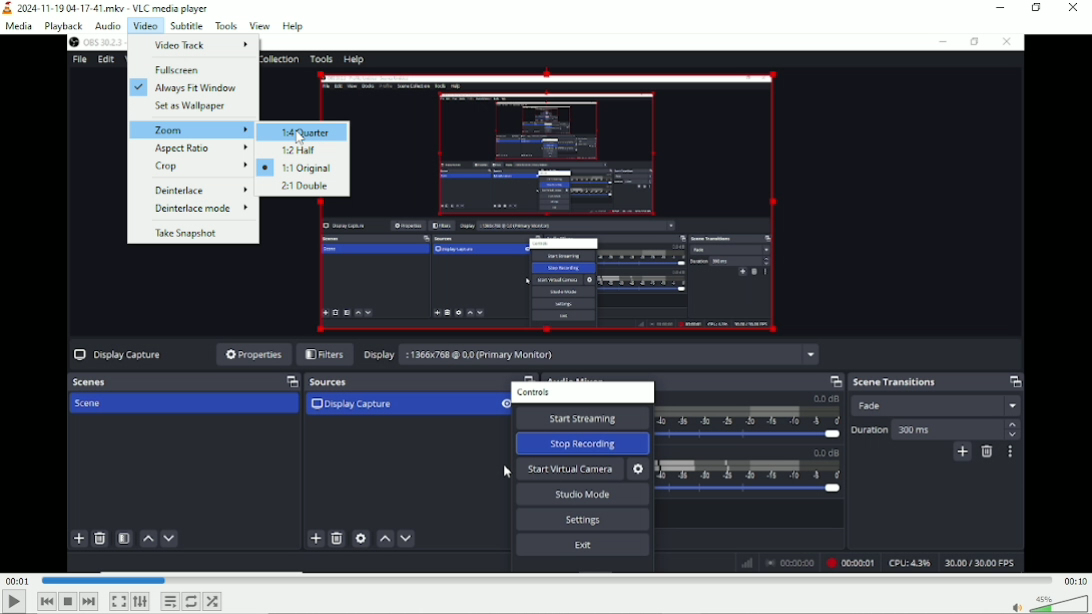 The width and height of the screenshot is (1092, 614). Describe the element at coordinates (1074, 582) in the screenshot. I see `Total duration` at that location.